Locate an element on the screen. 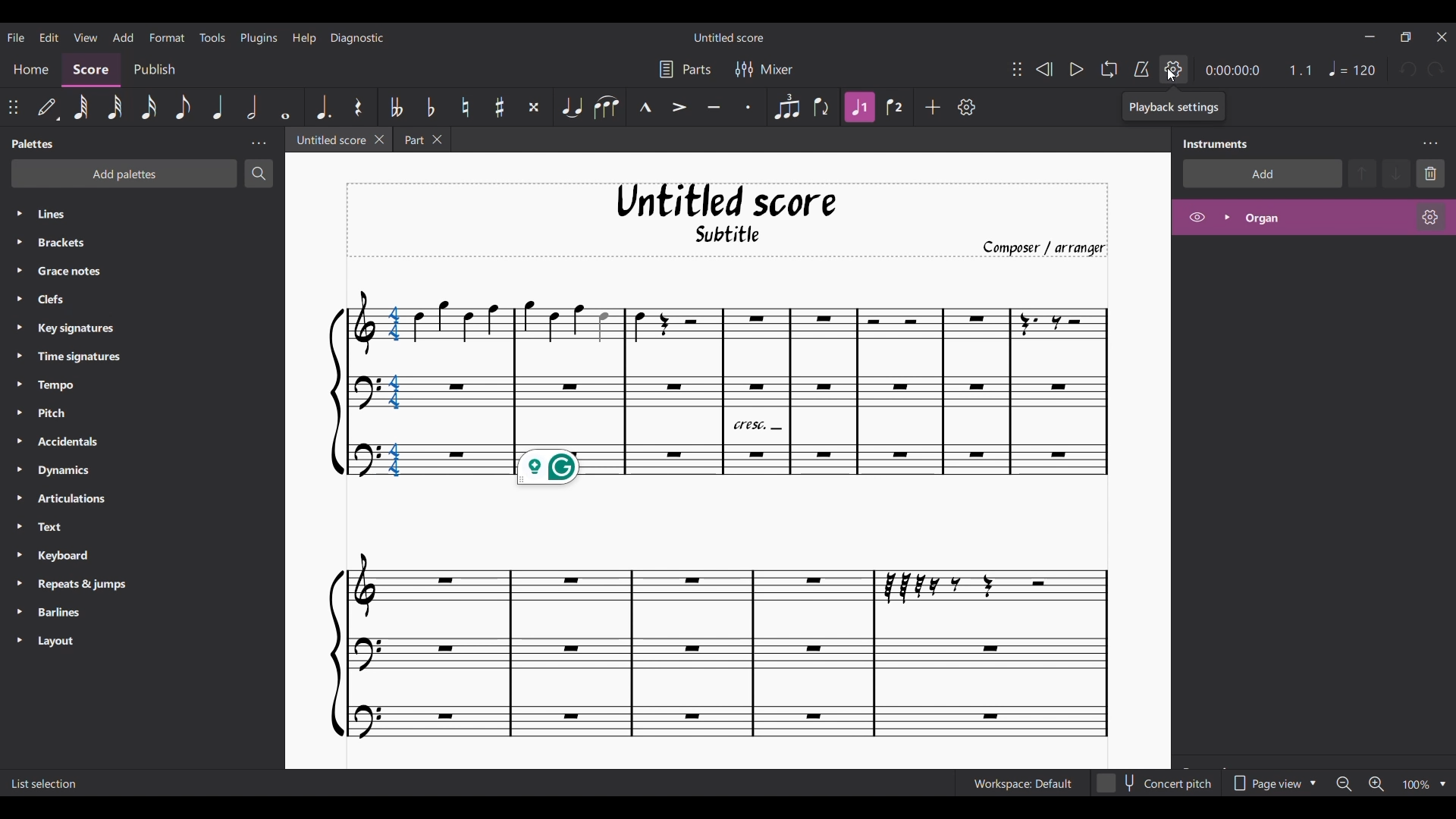 The height and width of the screenshot is (819, 1456). Mixer settings is located at coordinates (764, 69).